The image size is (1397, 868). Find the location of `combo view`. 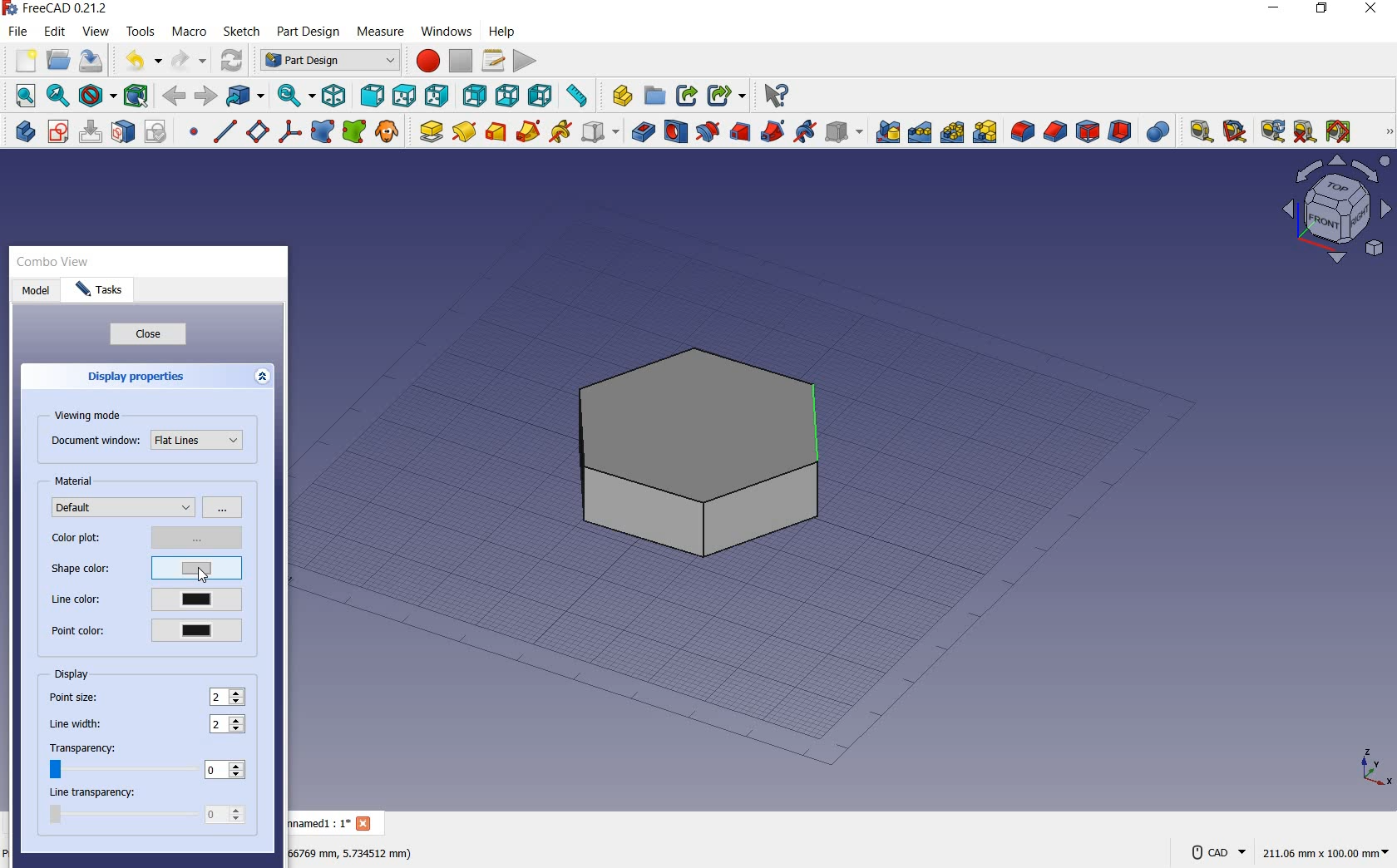

combo view is located at coordinates (55, 264).